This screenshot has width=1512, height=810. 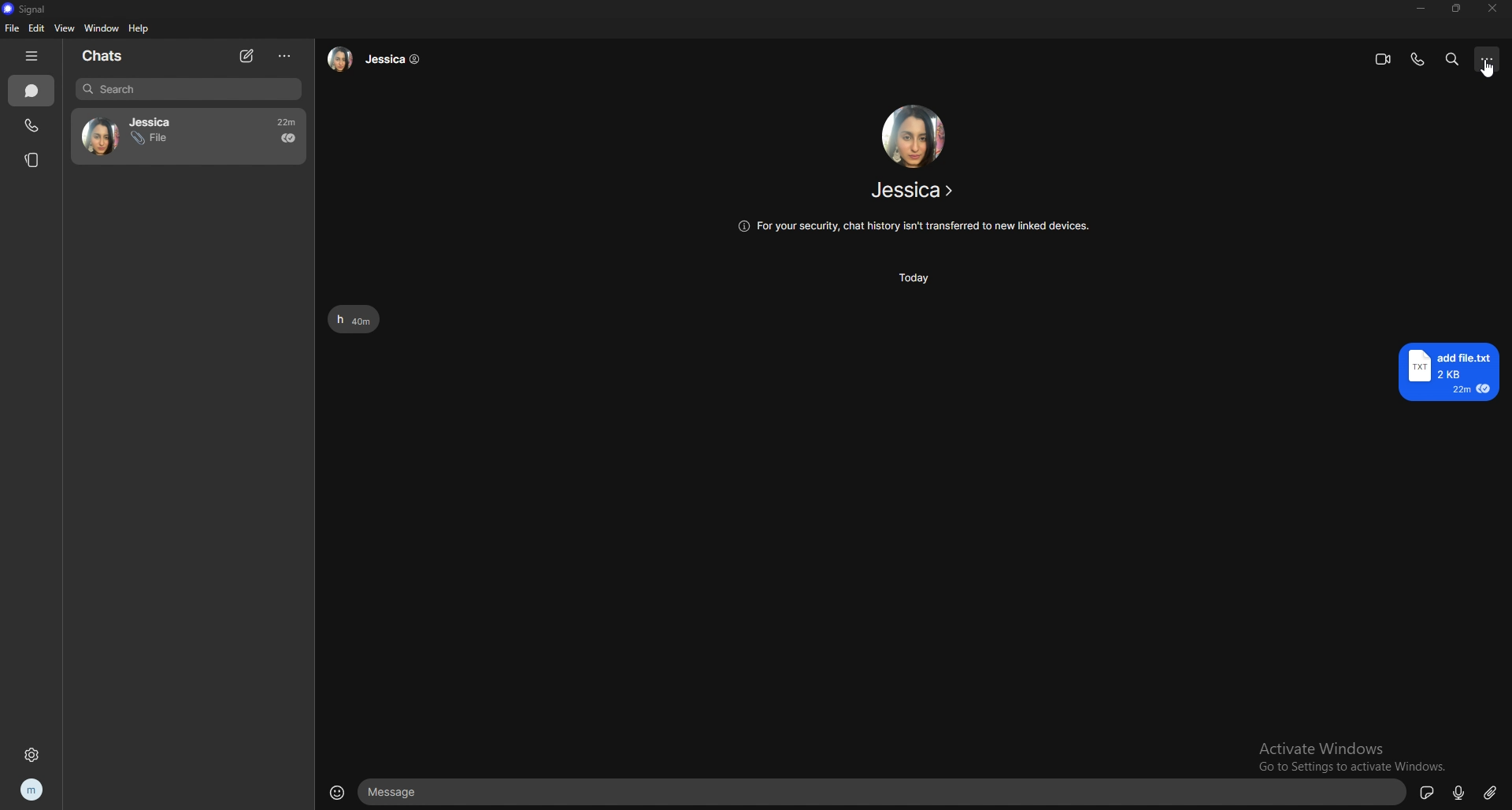 I want to click on chats, so click(x=32, y=91).